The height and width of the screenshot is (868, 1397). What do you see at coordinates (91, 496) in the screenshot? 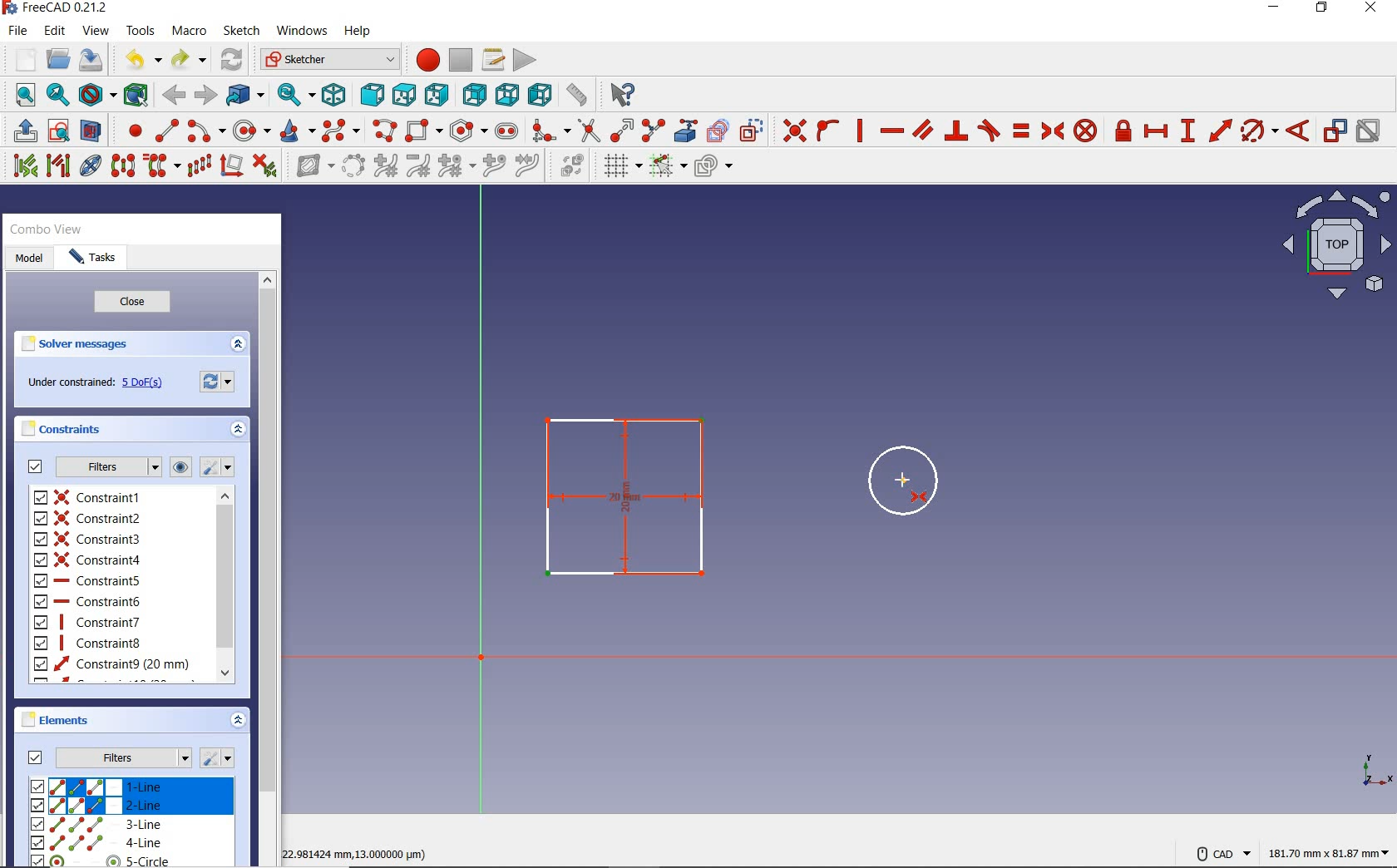
I see `constraint1` at bounding box center [91, 496].